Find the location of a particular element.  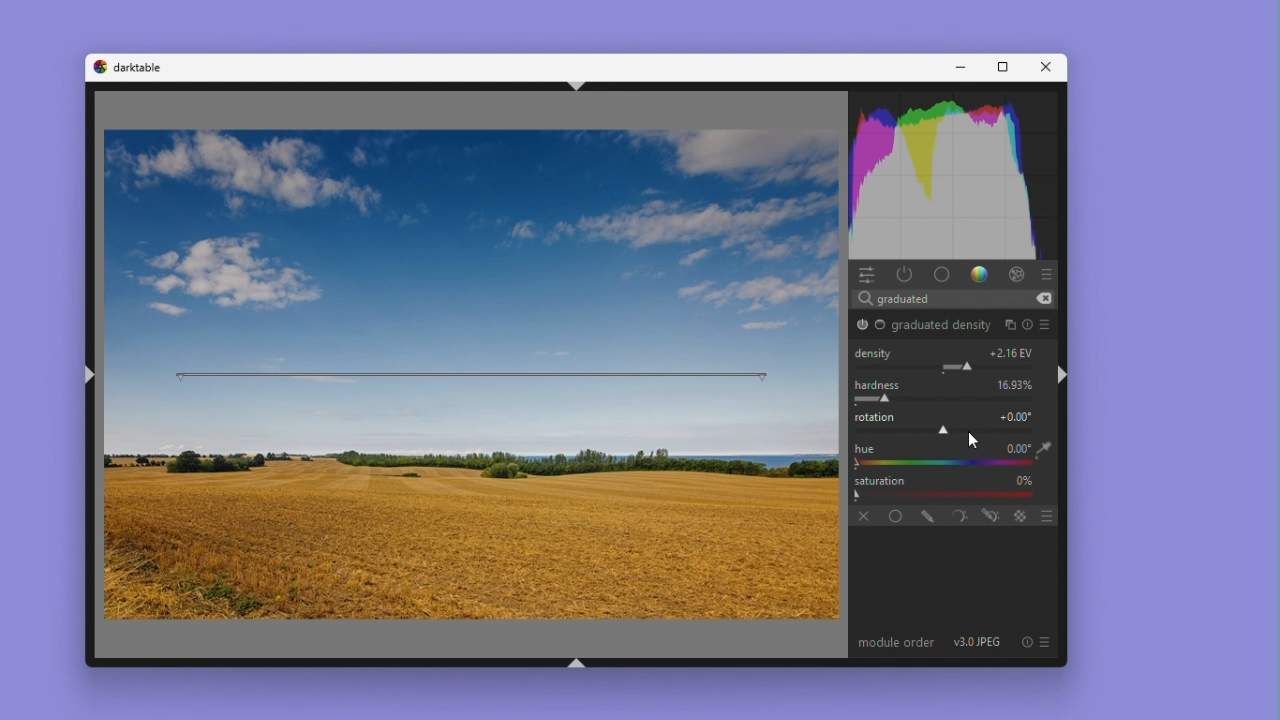

parametric mask is located at coordinates (956, 516).